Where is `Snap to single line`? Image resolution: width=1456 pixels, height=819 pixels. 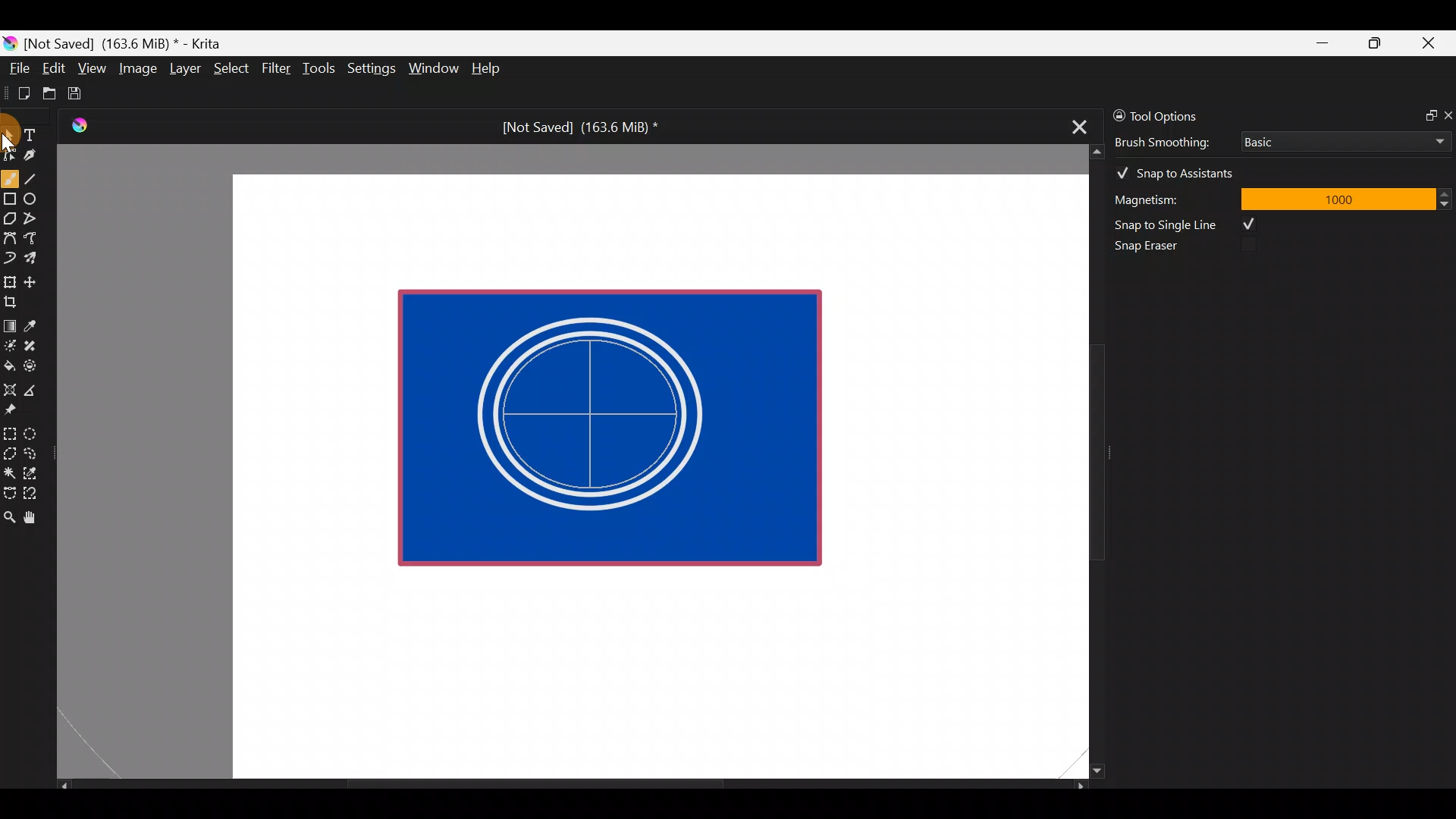 Snap to single line is located at coordinates (1191, 224).